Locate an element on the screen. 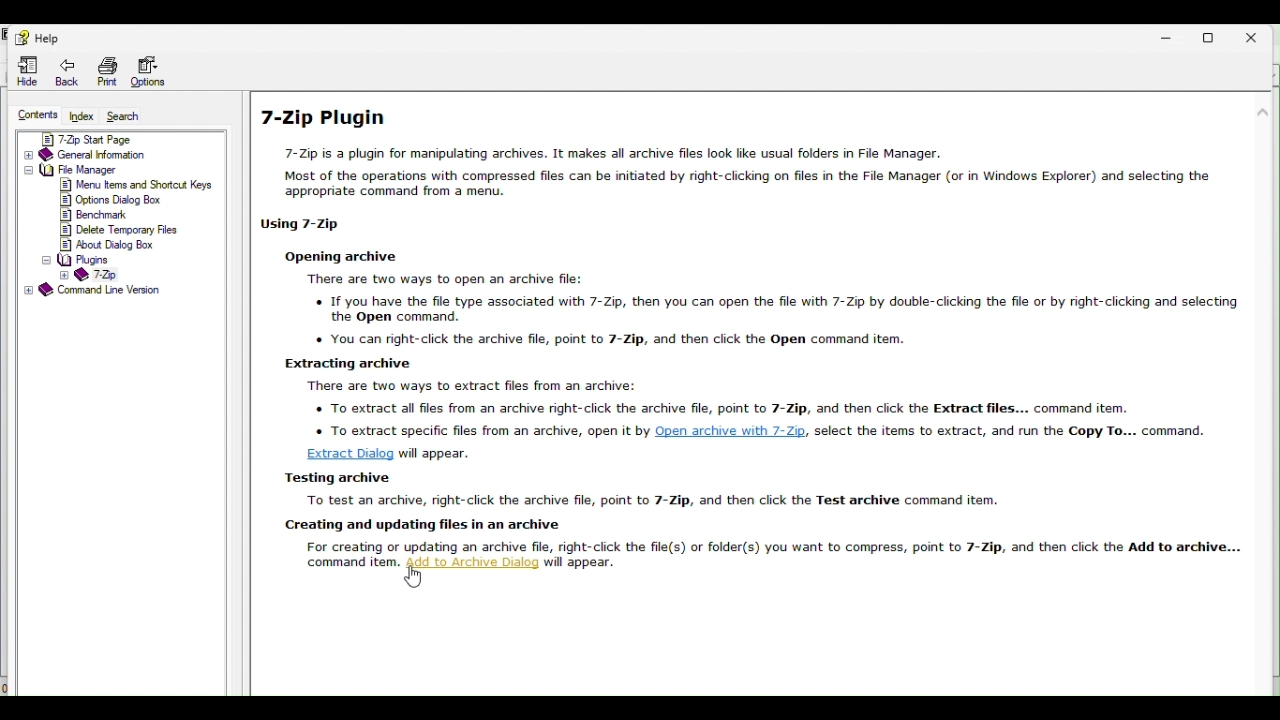 Image resolution: width=1280 pixels, height=720 pixels. Options is located at coordinates (159, 71).